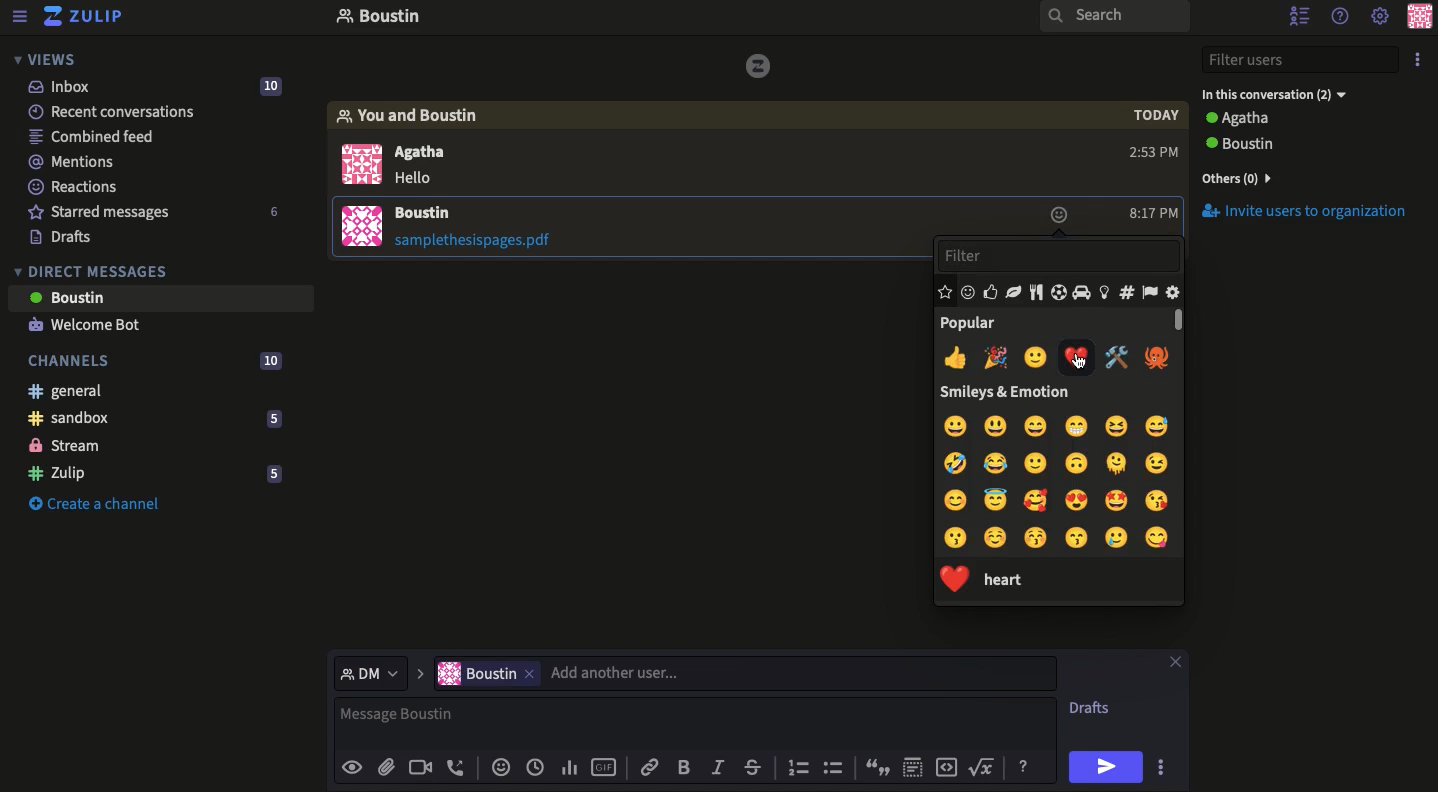  Describe the element at coordinates (955, 538) in the screenshot. I see `kiss` at that location.